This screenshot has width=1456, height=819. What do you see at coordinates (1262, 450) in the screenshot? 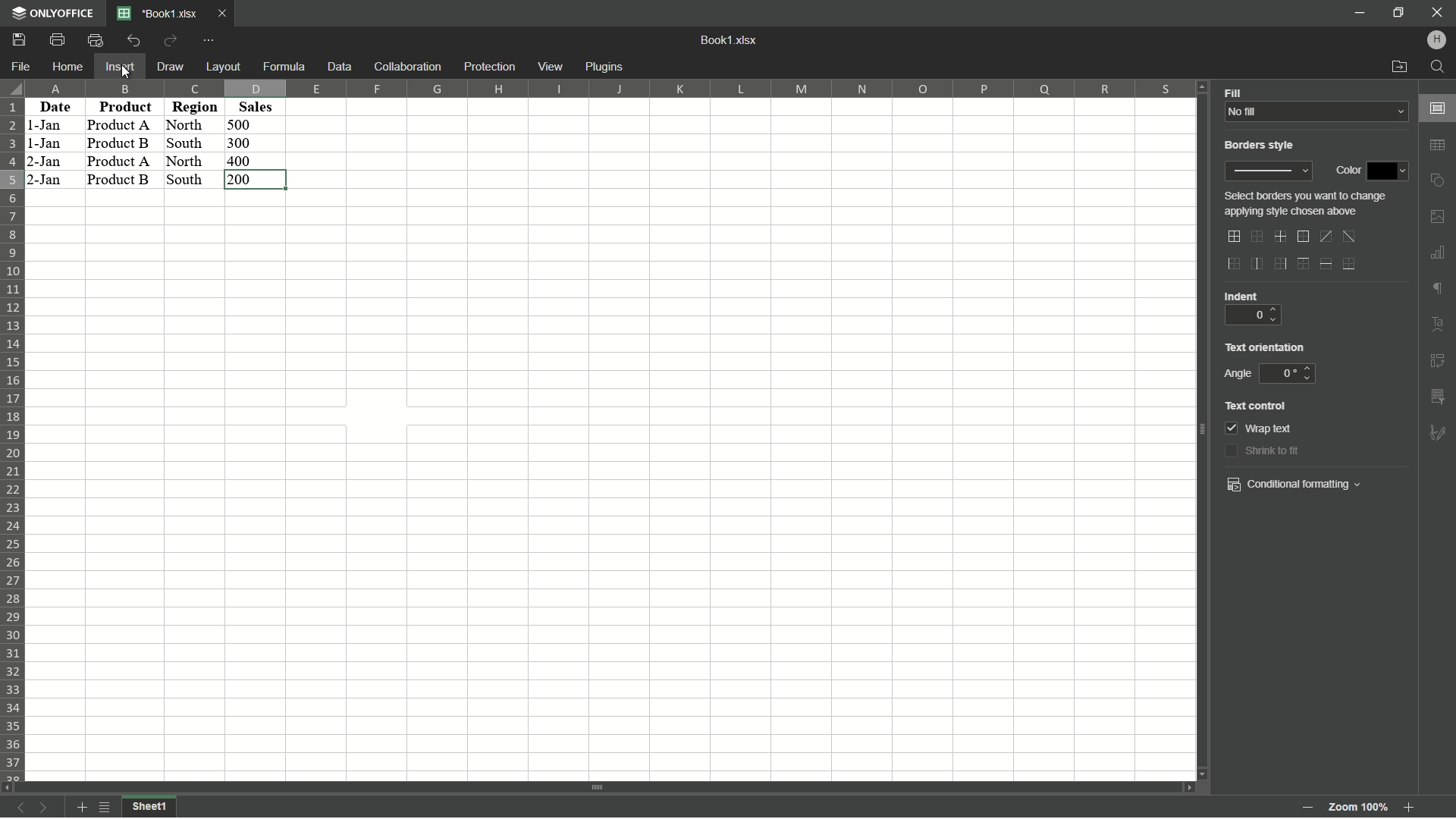
I see `shrink to fit` at bounding box center [1262, 450].